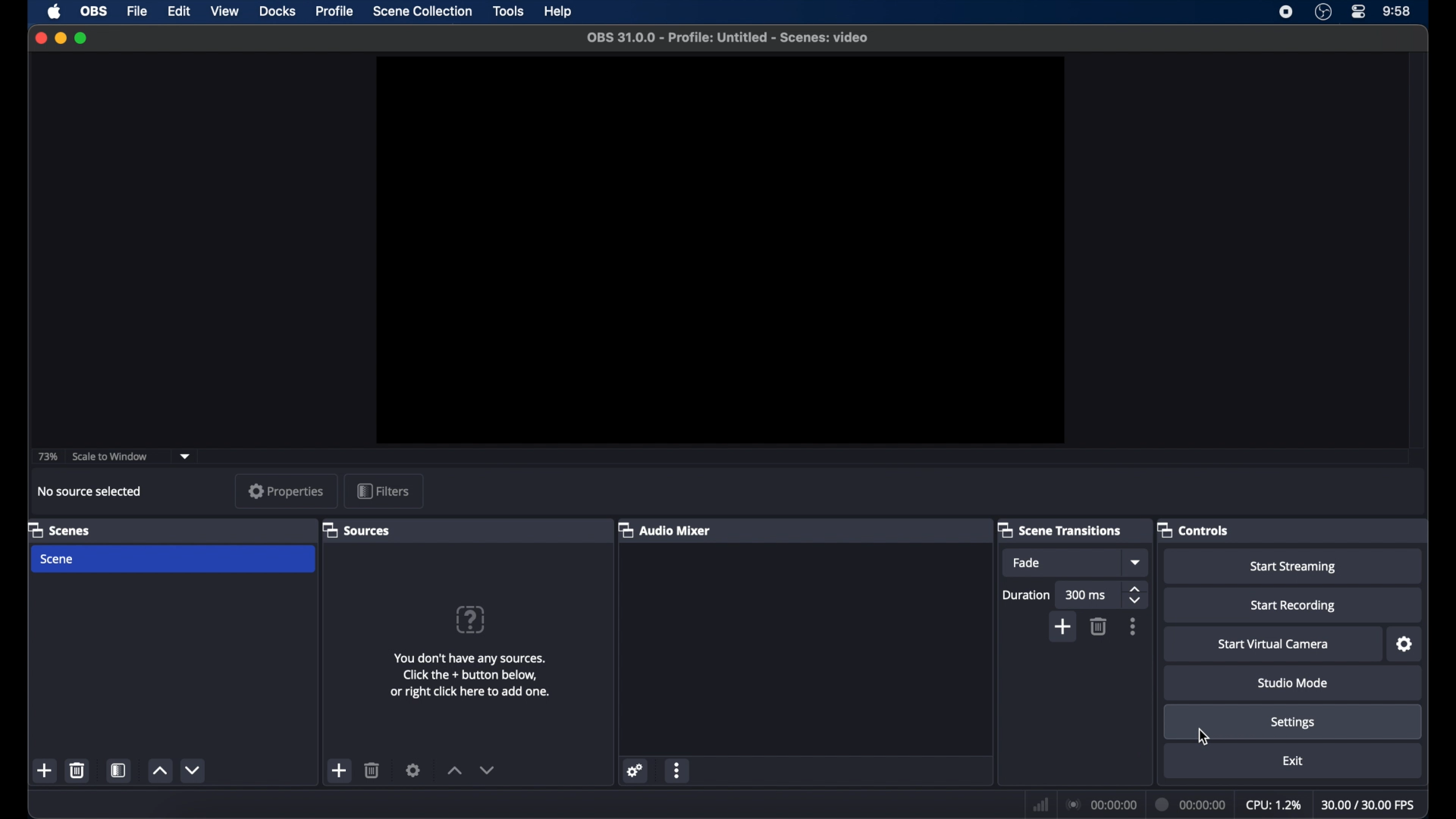 This screenshot has width=1456, height=819. Describe the element at coordinates (179, 12) in the screenshot. I see `edit` at that location.